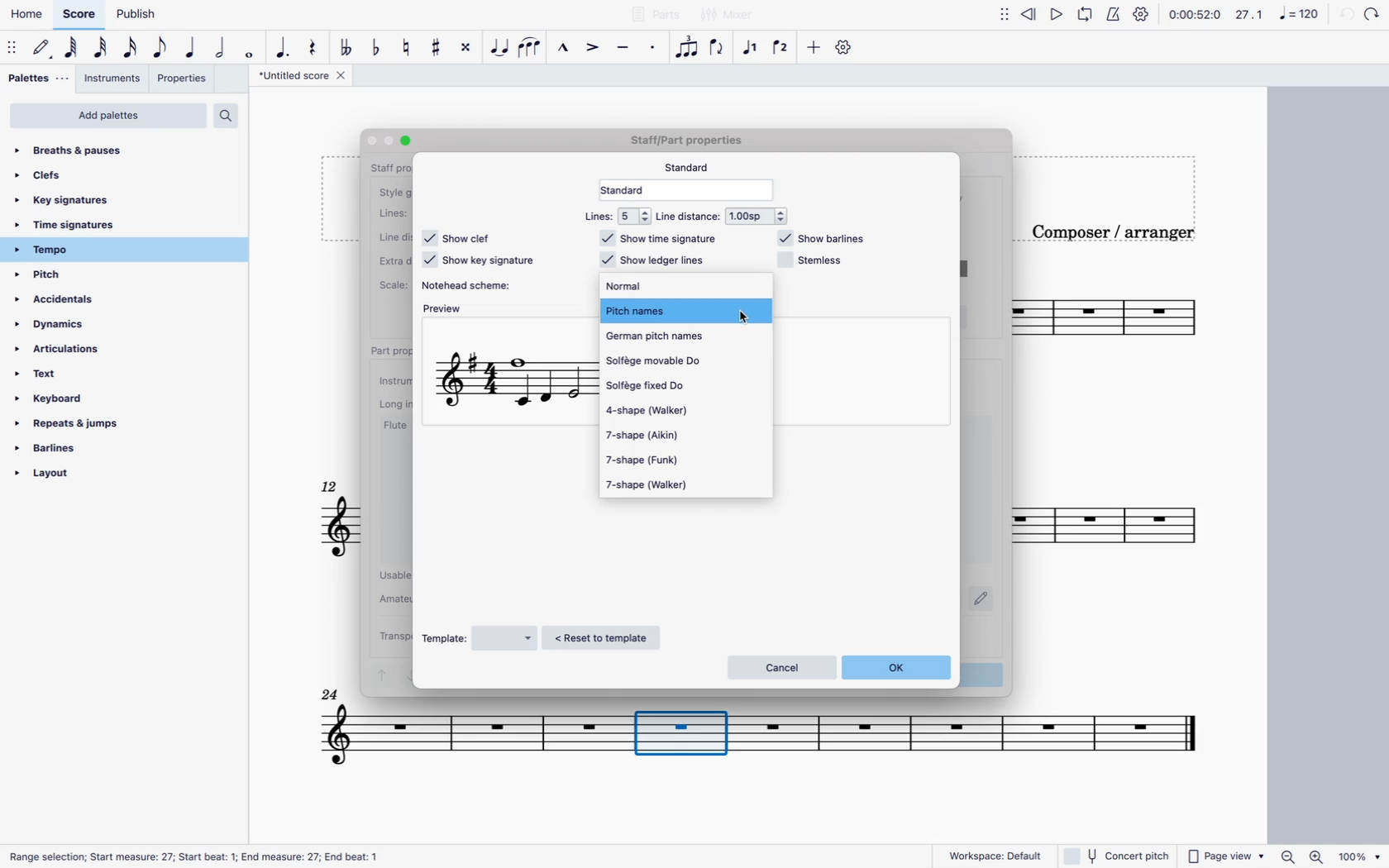 This screenshot has height=868, width=1389. Describe the element at coordinates (79, 350) in the screenshot. I see `articulations` at that location.